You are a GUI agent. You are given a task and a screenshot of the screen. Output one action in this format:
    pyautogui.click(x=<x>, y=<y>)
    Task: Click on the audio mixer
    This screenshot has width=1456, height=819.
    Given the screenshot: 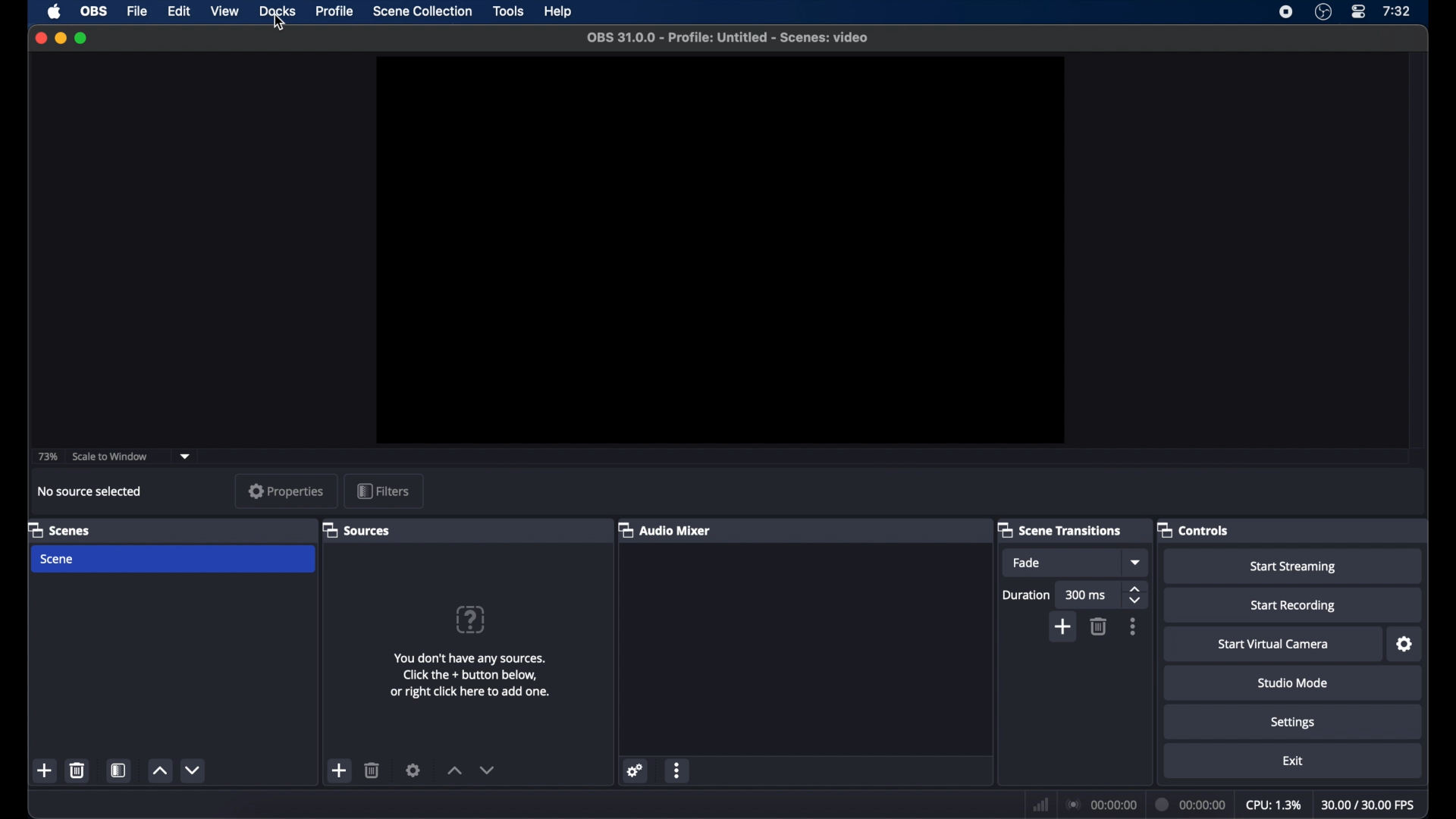 What is the action you would take?
    pyautogui.click(x=664, y=529)
    